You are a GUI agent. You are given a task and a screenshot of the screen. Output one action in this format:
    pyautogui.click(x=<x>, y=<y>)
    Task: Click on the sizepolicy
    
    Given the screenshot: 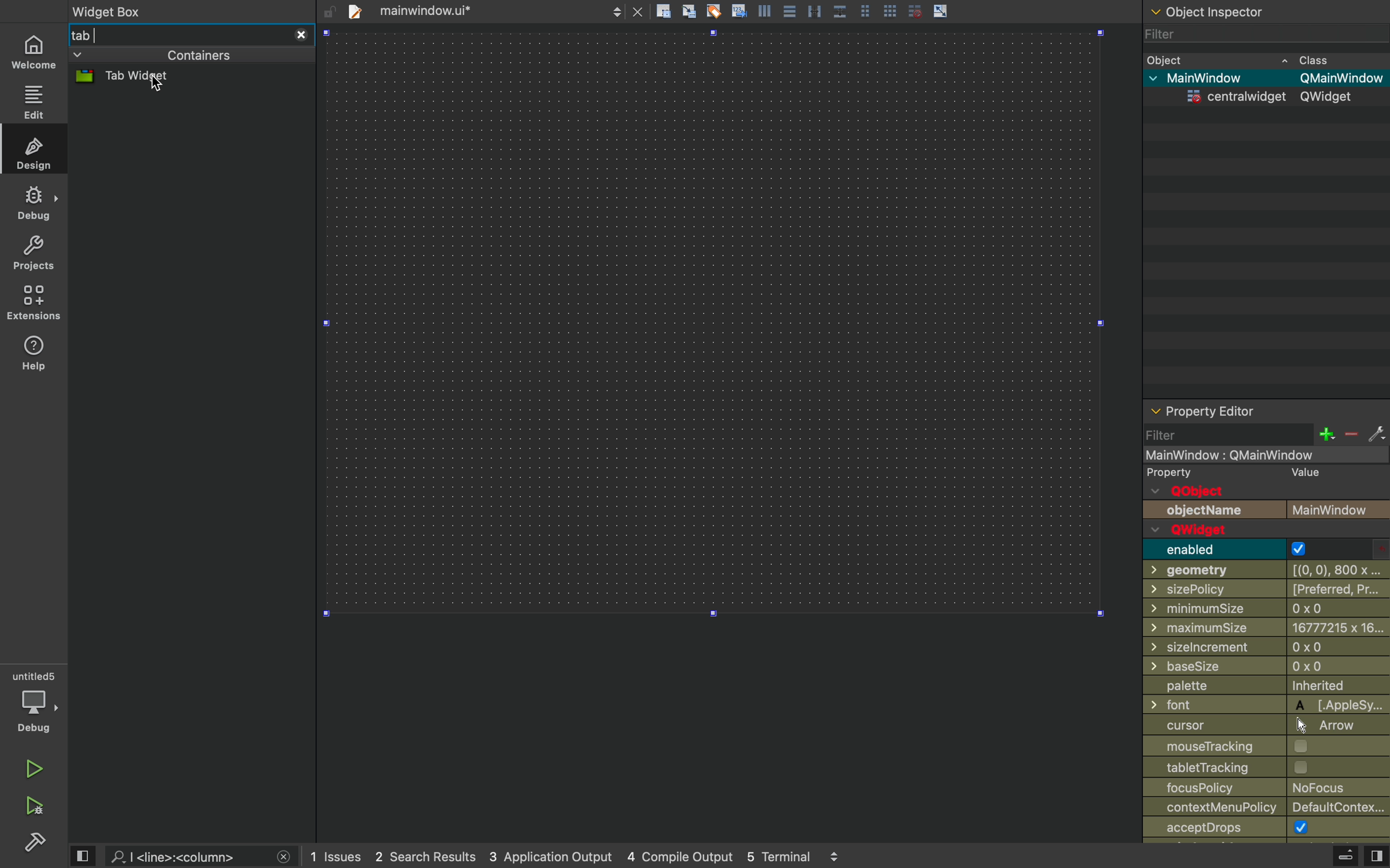 What is the action you would take?
    pyautogui.click(x=1265, y=591)
    